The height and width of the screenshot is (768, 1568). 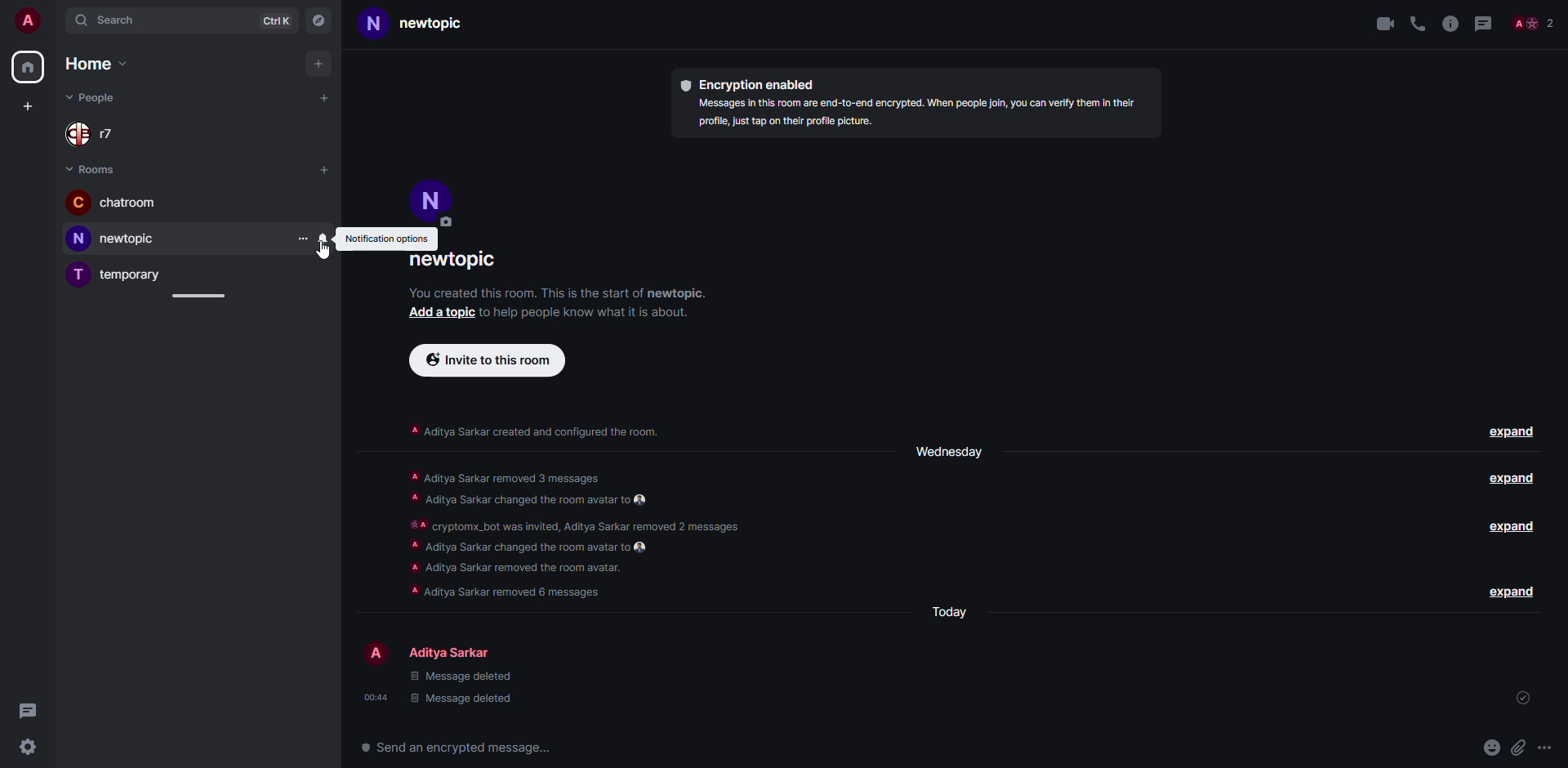 What do you see at coordinates (26, 105) in the screenshot?
I see `add` at bounding box center [26, 105].